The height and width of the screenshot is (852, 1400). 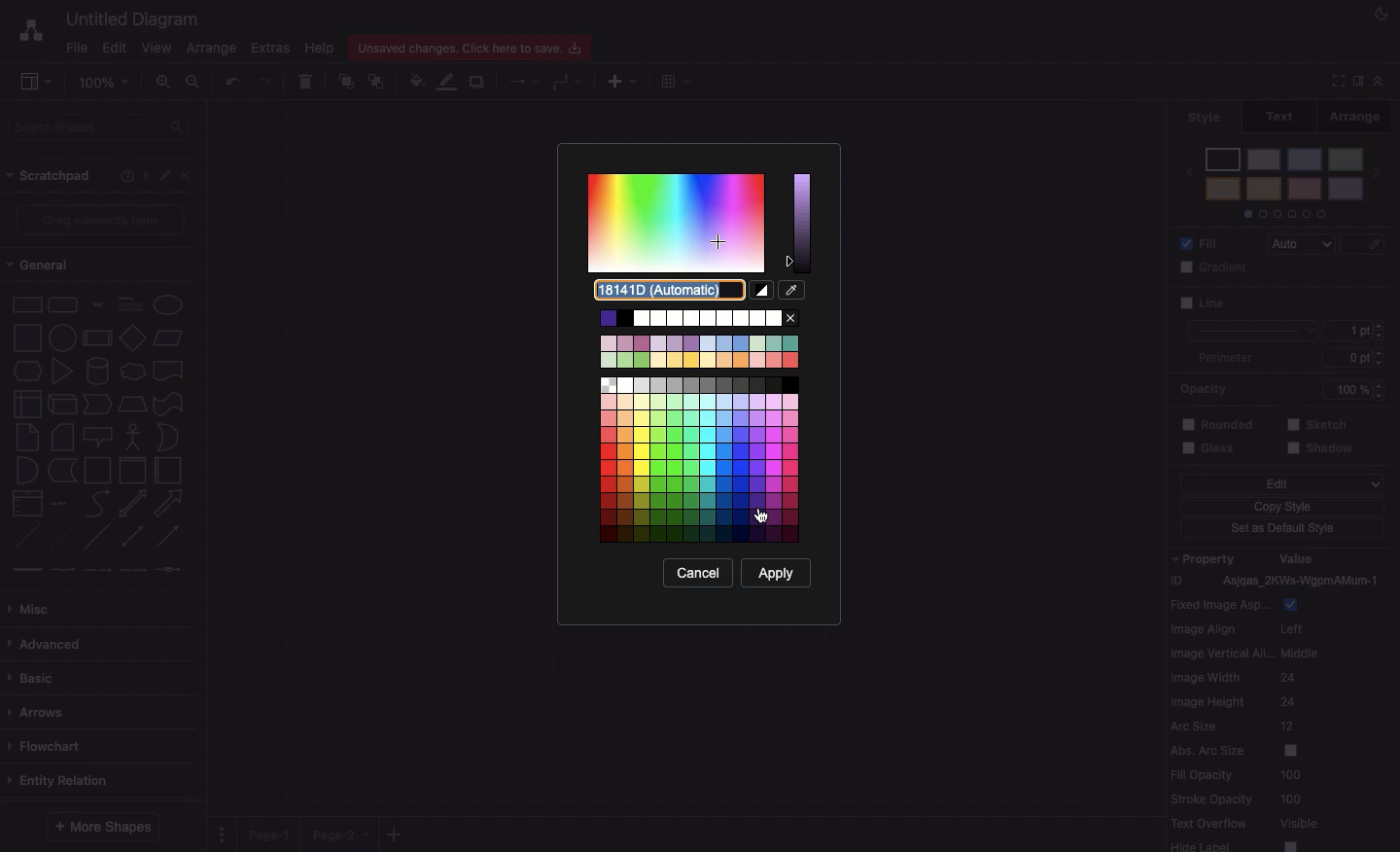 What do you see at coordinates (131, 536) in the screenshot?
I see `bidirectional connector` at bounding box center [131, 536].